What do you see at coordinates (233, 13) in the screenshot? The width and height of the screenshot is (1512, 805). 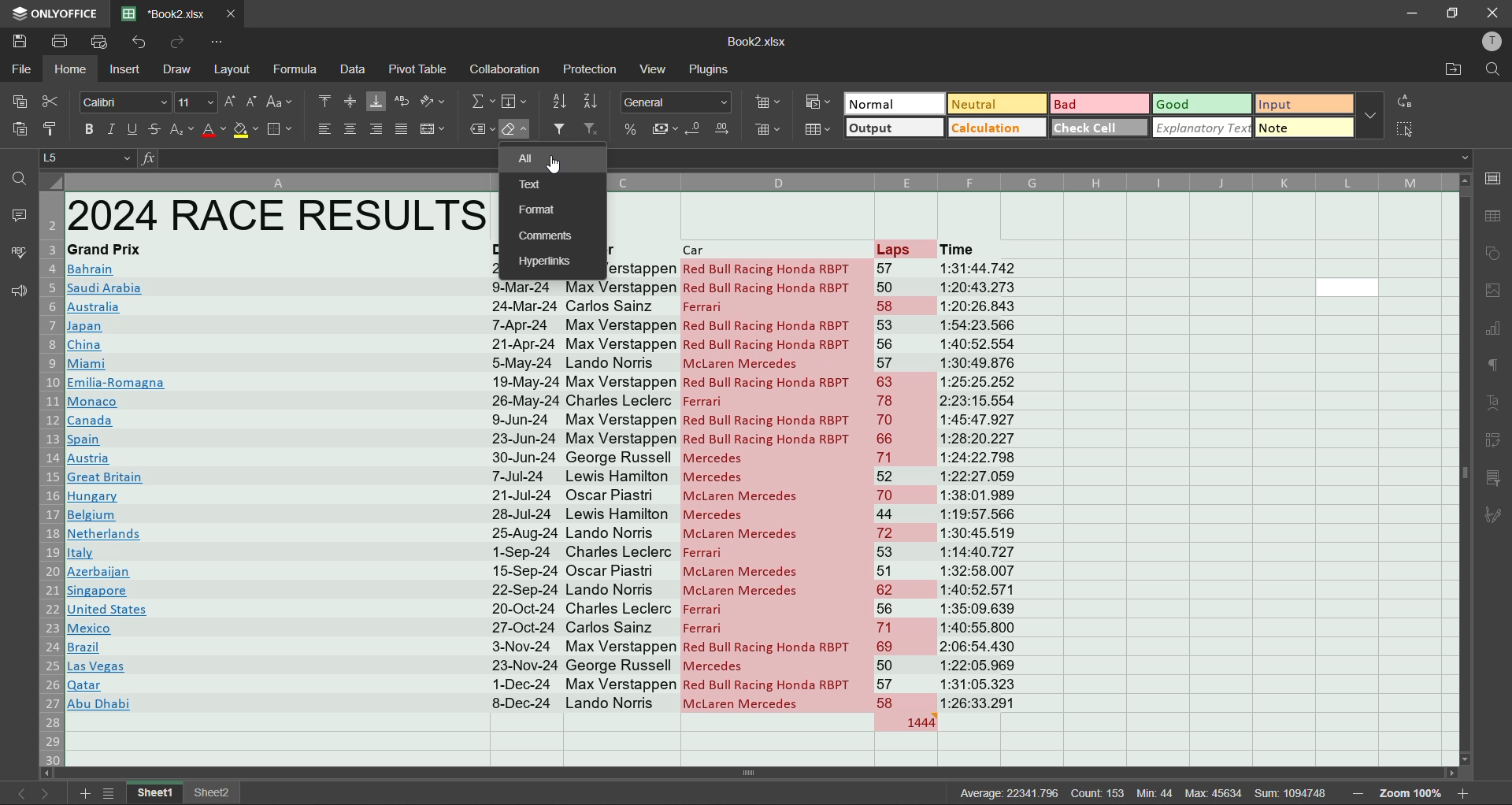 I see `close tab` at bounding box center [233, 13].